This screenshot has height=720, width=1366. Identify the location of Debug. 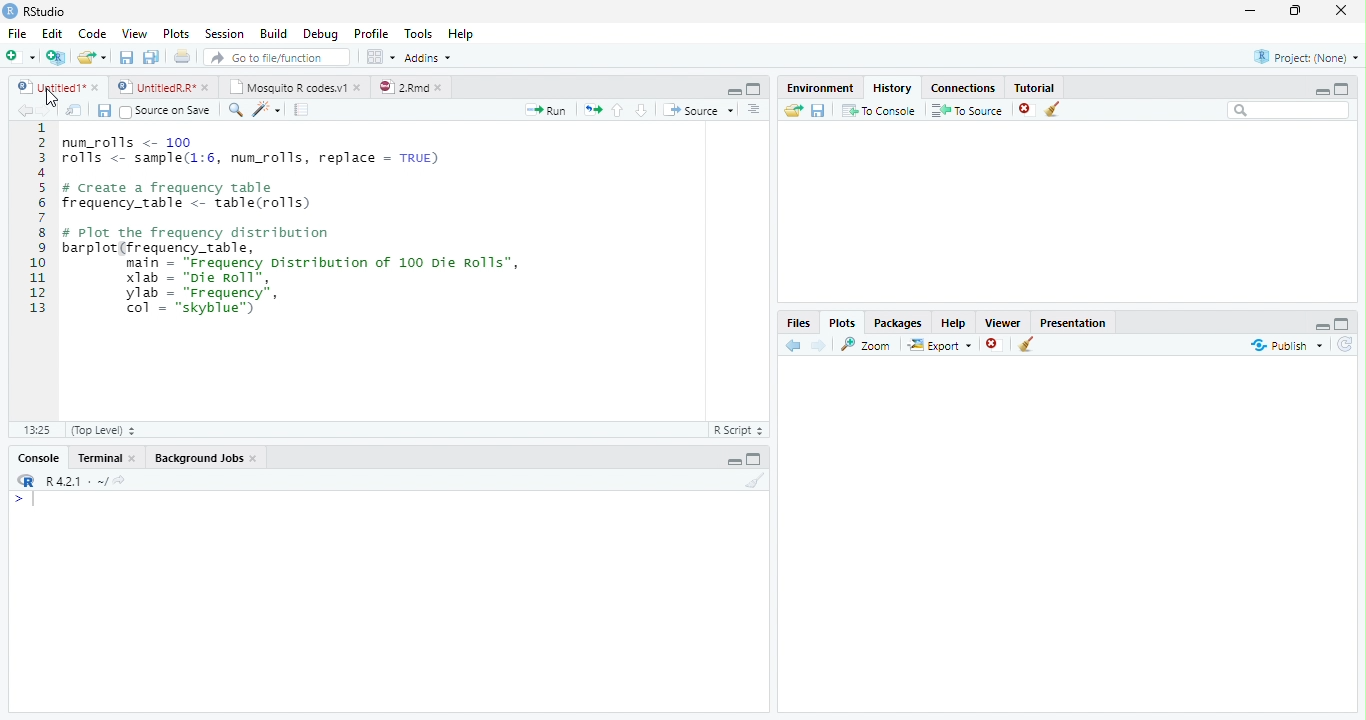
(321, 33).